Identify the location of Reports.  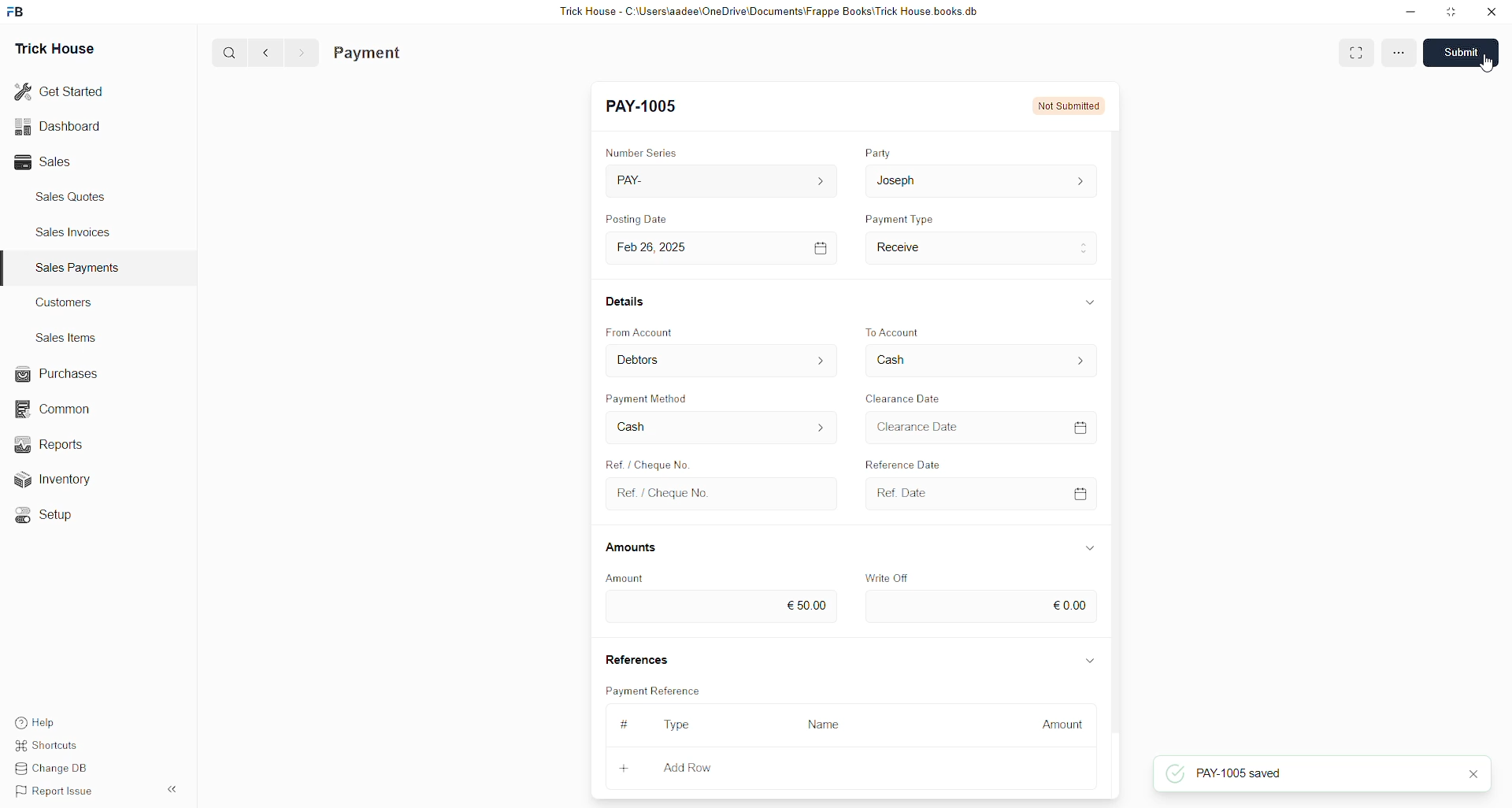
(59, 443).